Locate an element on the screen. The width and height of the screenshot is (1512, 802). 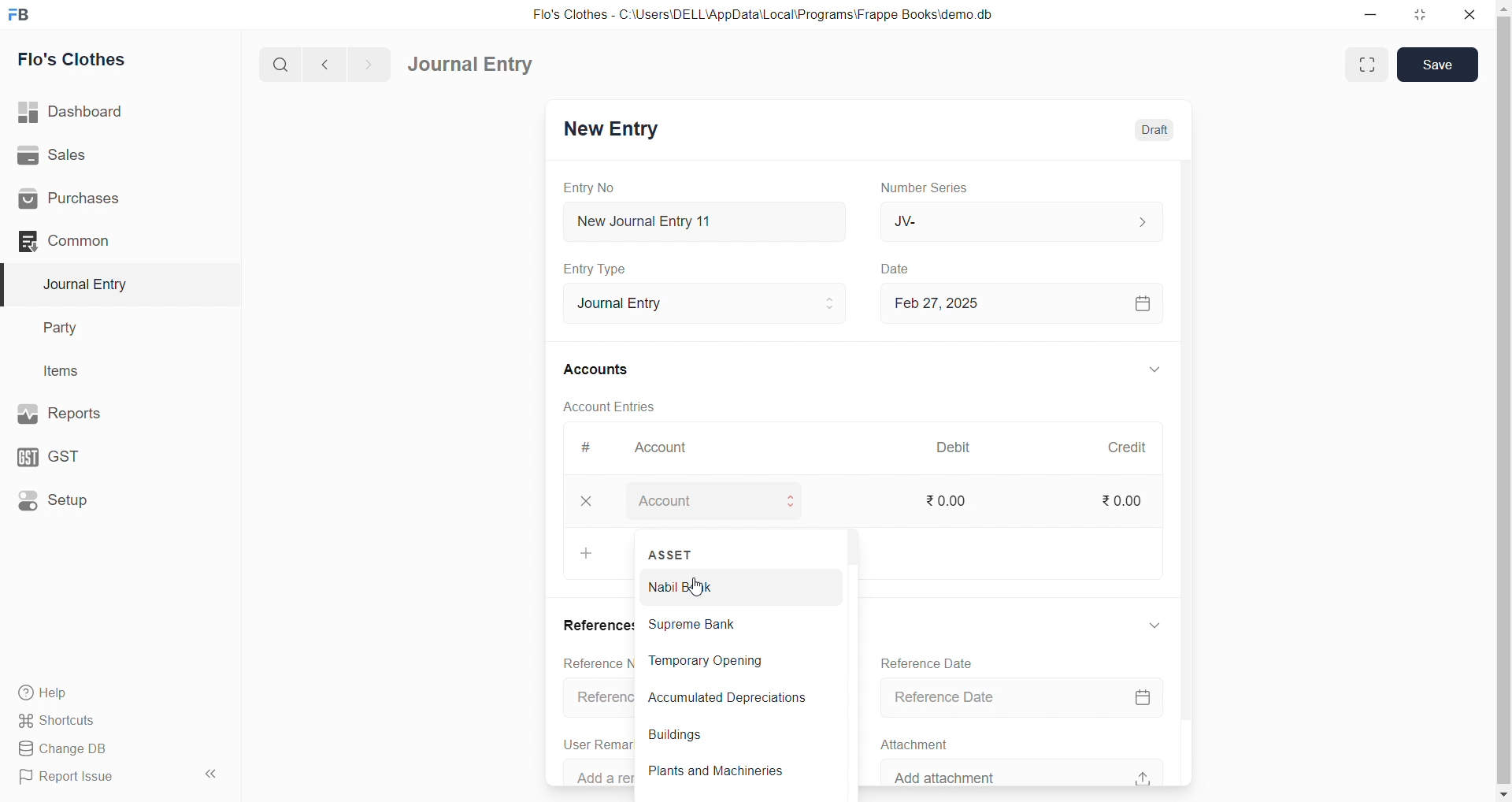
Date is located at coordinates (903, 269).